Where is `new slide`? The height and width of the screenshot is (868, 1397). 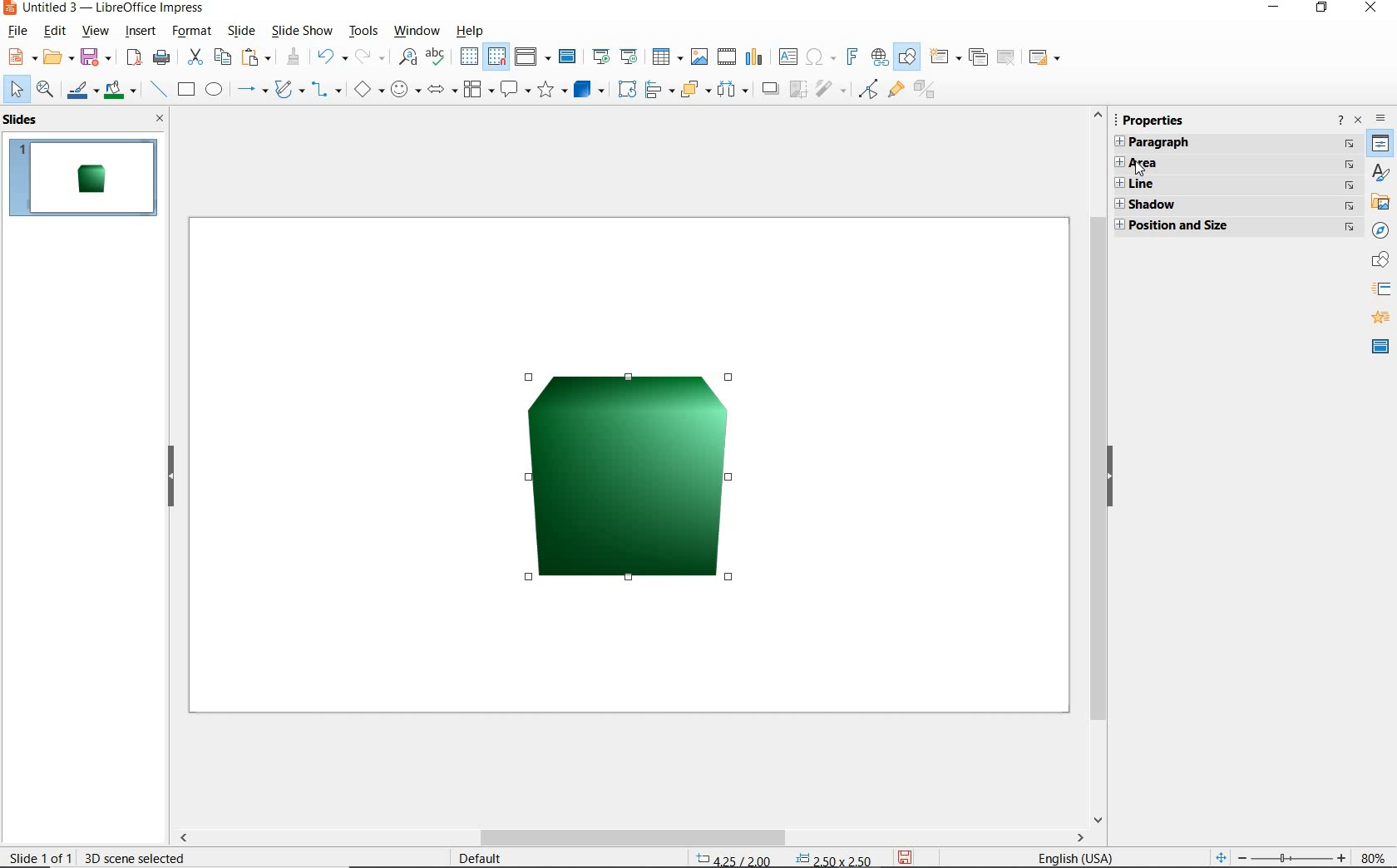 new slide is located at coordinates (944, 57).